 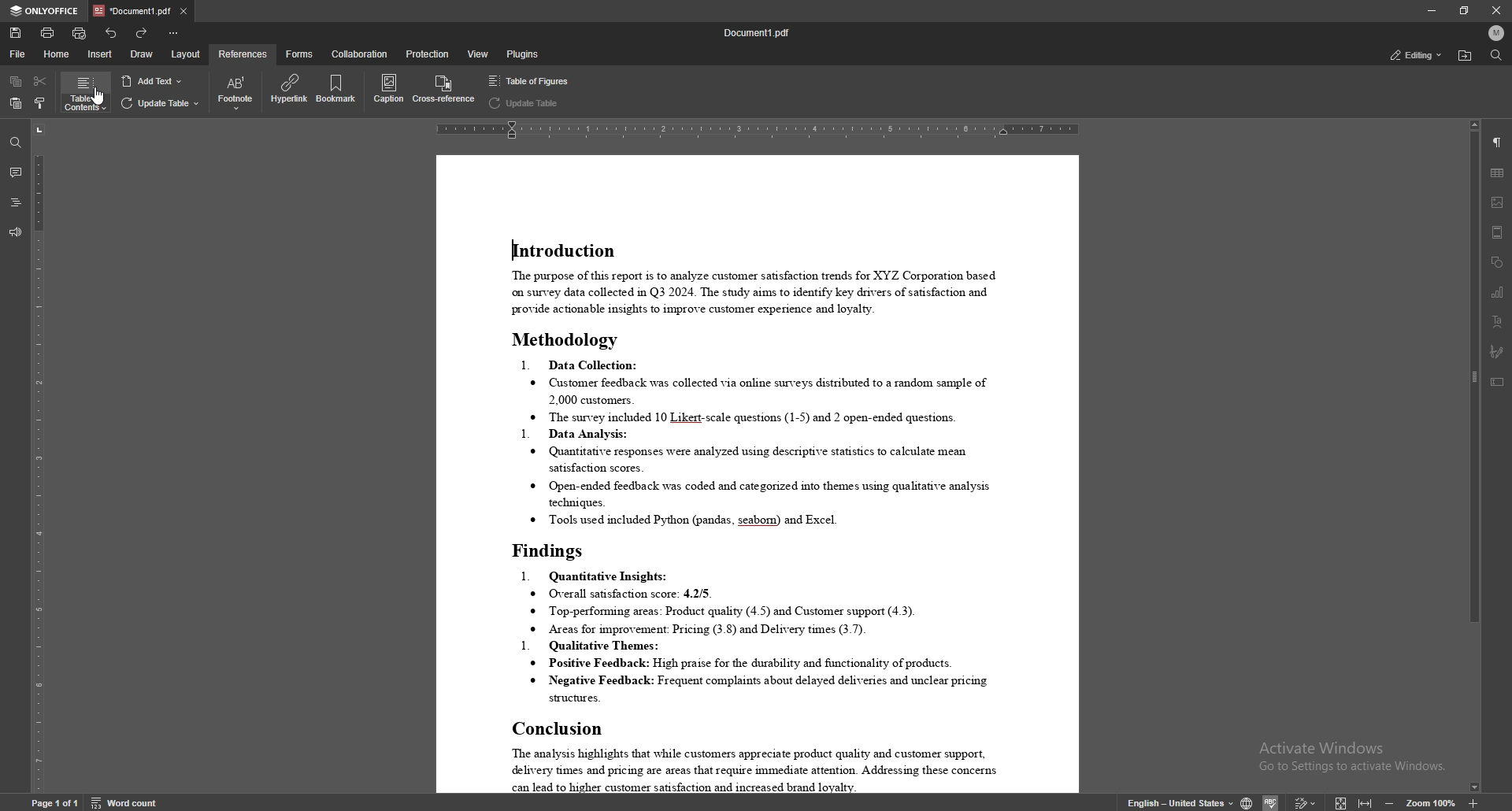 I want to click on caption, so click(x=387, y=89).